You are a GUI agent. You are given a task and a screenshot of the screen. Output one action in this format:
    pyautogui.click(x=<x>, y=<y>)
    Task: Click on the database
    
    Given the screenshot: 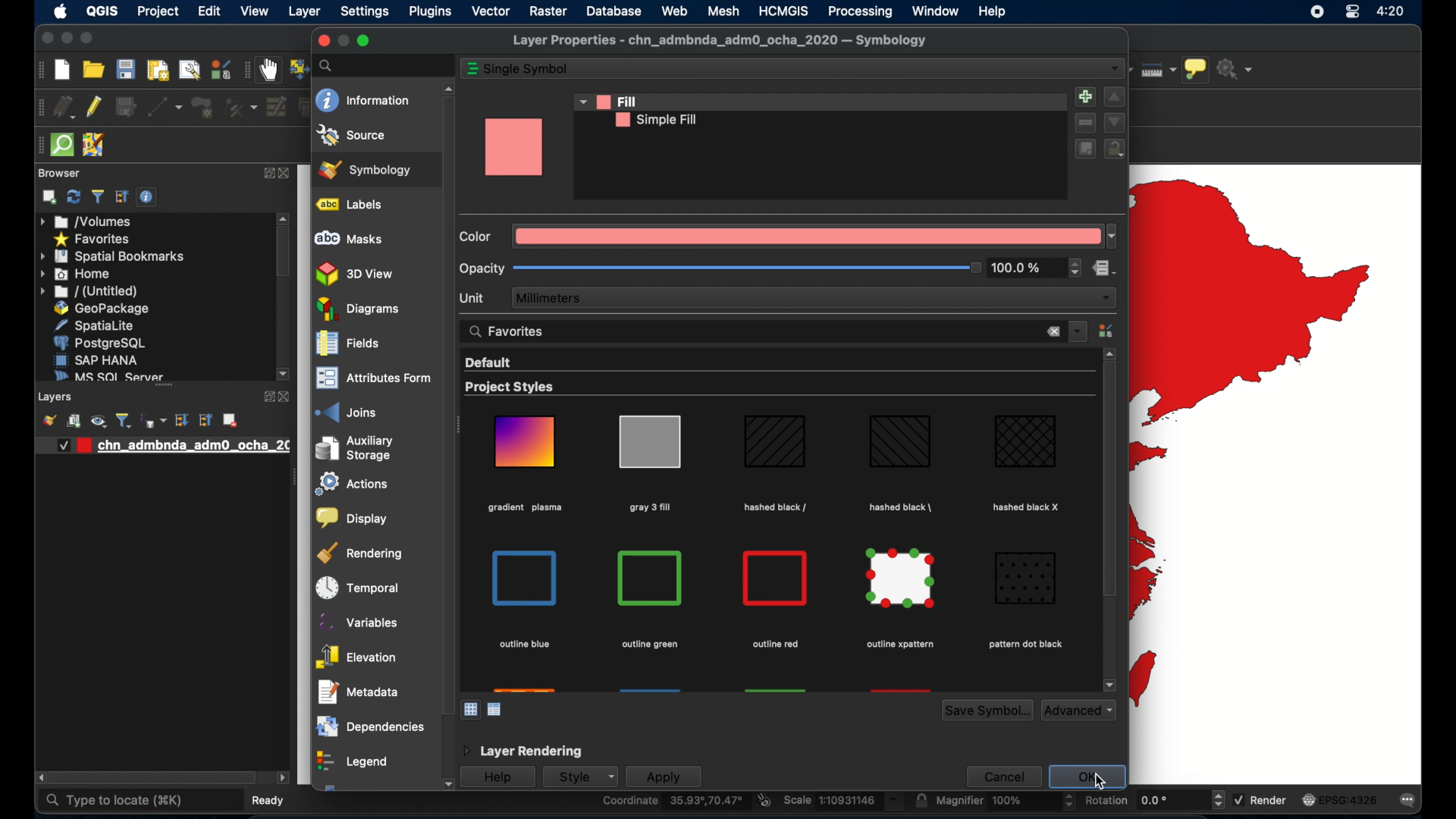 What is the action you would take?
    pyautogui.click(x=616, y=11)
    